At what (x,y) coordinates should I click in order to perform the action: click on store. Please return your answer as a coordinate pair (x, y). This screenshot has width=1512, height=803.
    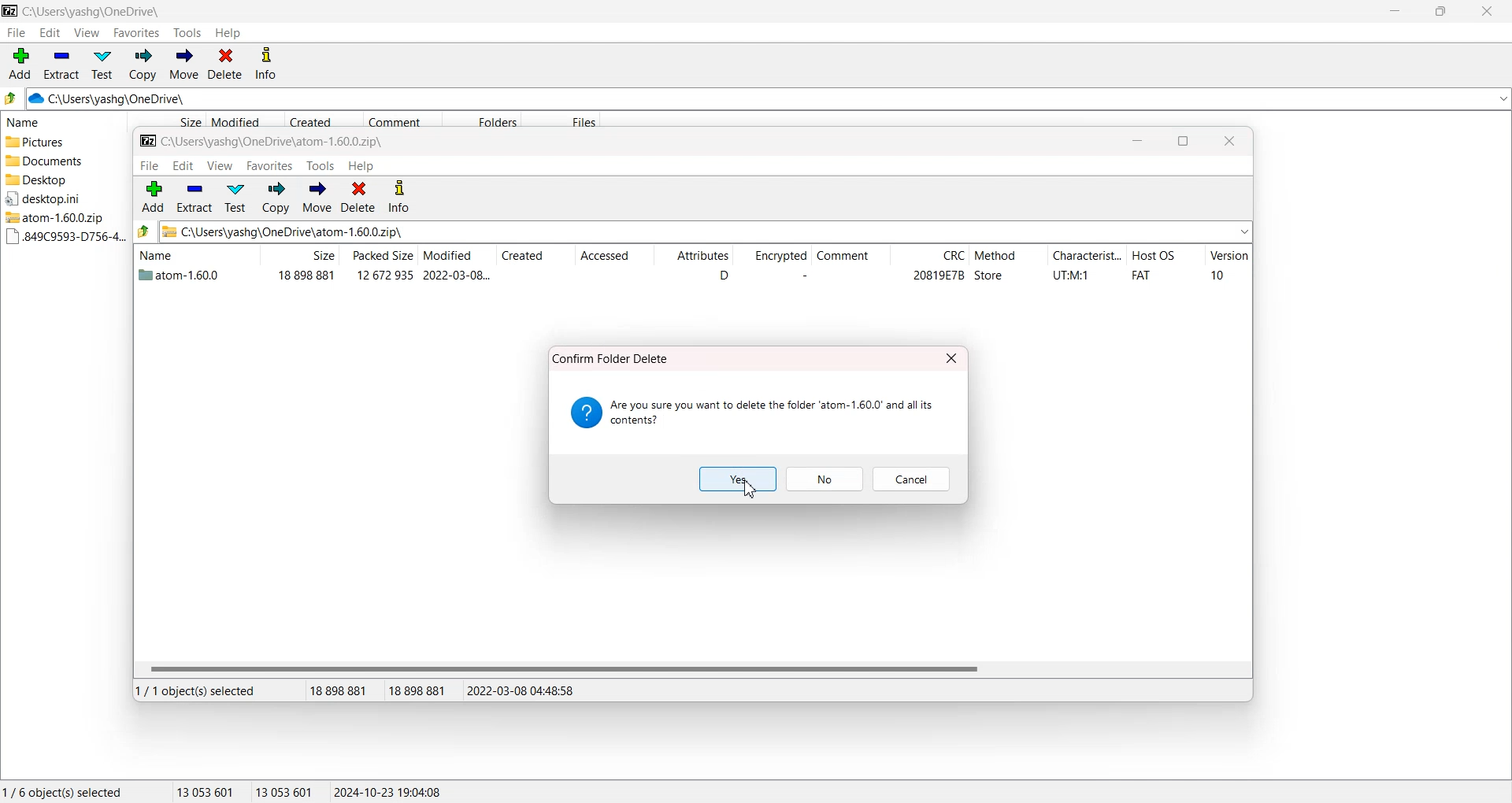
    Looking at the image, I should click on (989, 276).